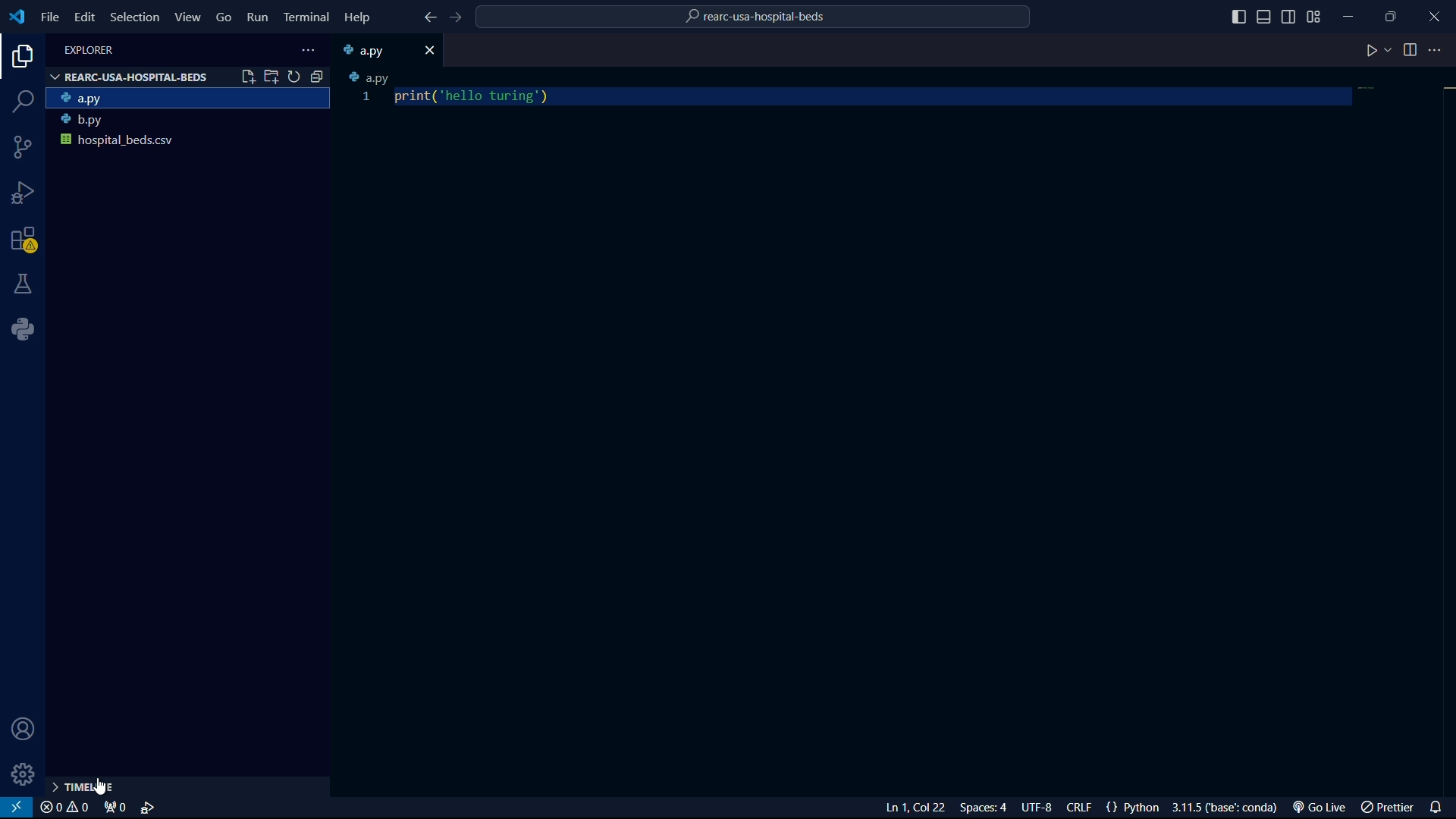 The height and width of the screenshot is (819, 1456). I want to click on source code, so click(24, 147).